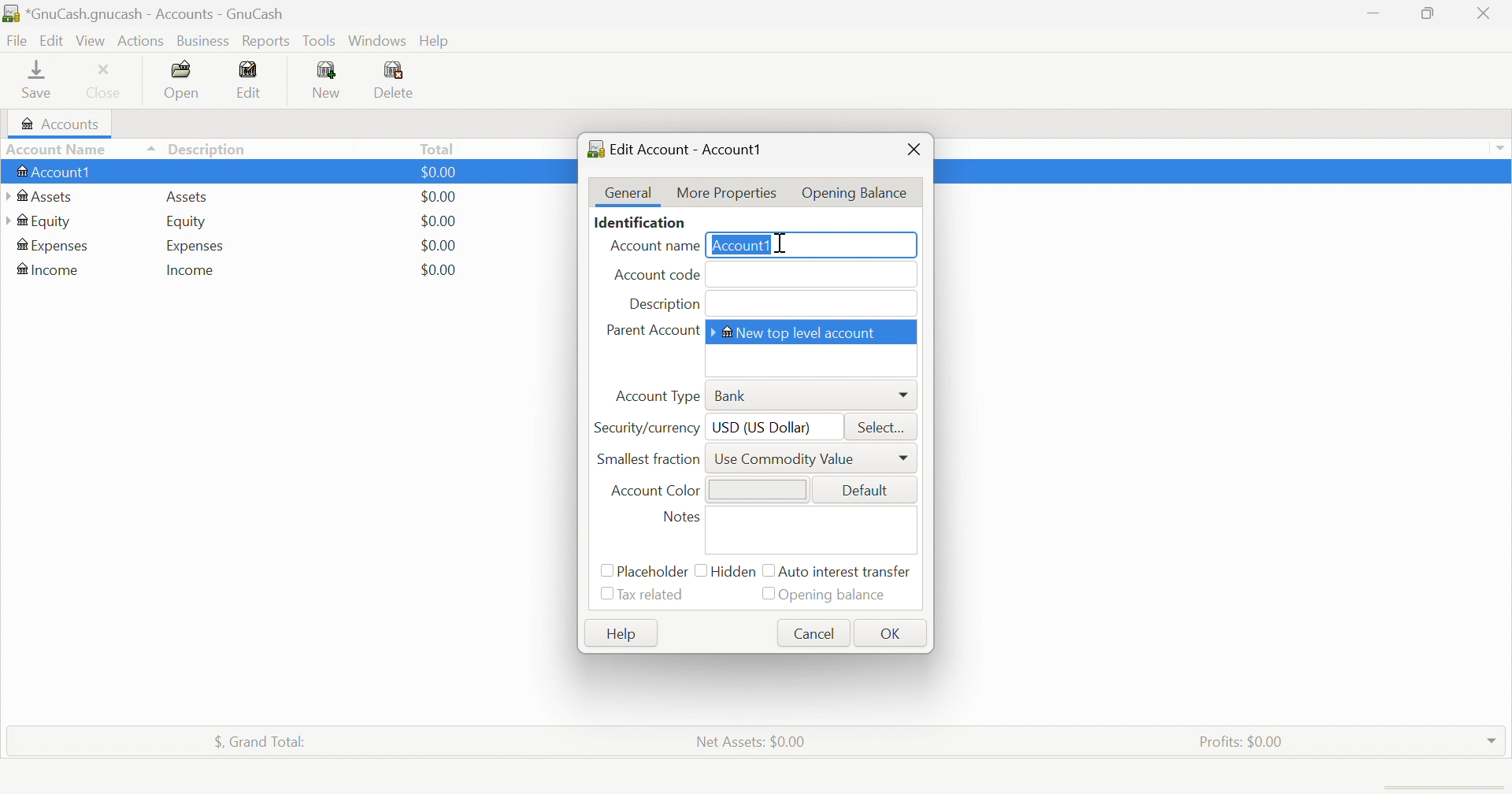 This screenshot has height=794, width=1512. I want to click on Account code, so click(658, 275).